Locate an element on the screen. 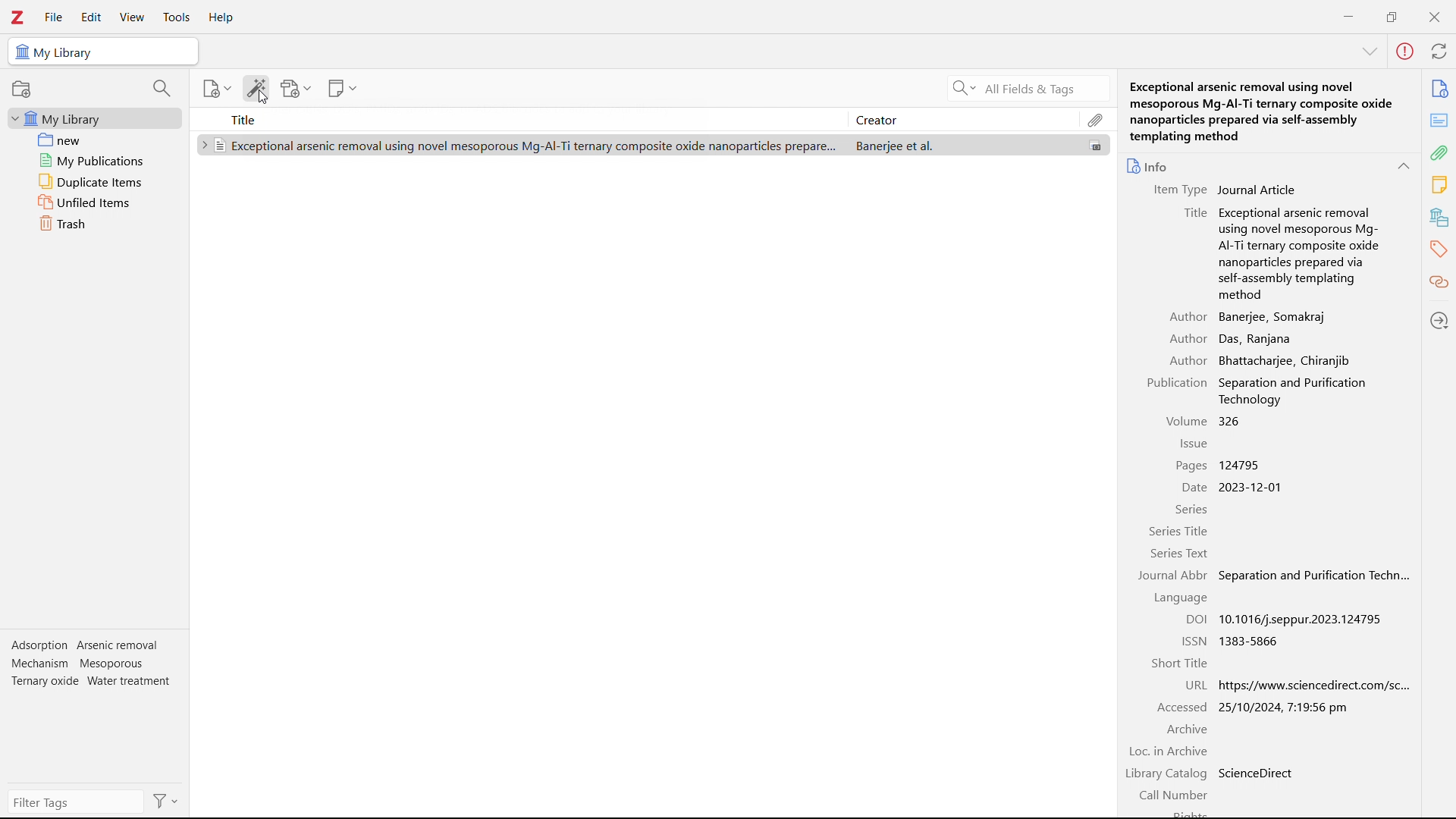 This screenshot has width=1456, height=819. Bhattacharjee, Chiranjib is located at coordinates (1285, 360).